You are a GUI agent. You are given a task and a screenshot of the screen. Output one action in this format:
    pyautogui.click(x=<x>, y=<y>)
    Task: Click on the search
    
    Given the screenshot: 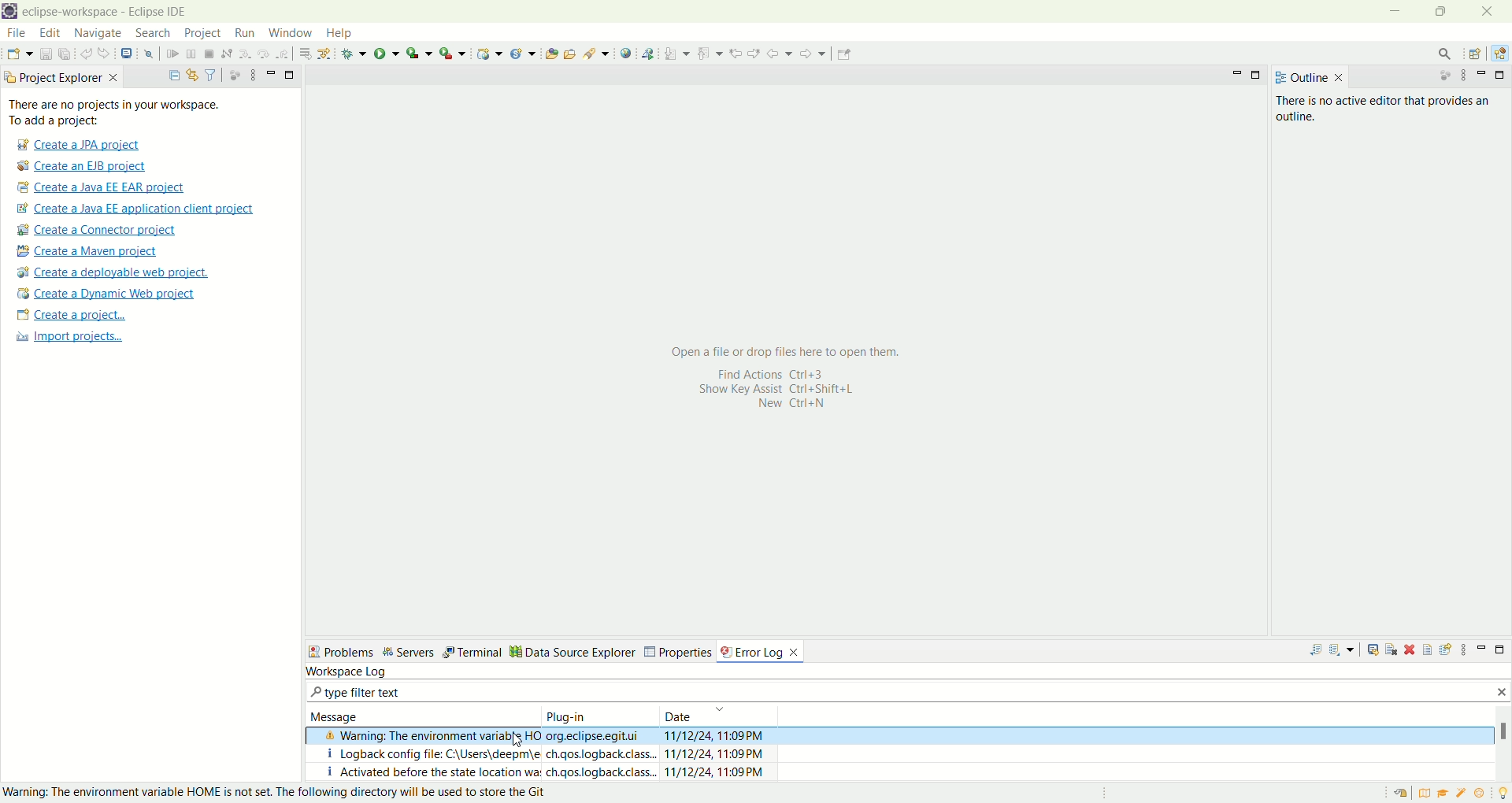 What is the action you would take?
    pyautogui.click(x=1447, y=52)
    